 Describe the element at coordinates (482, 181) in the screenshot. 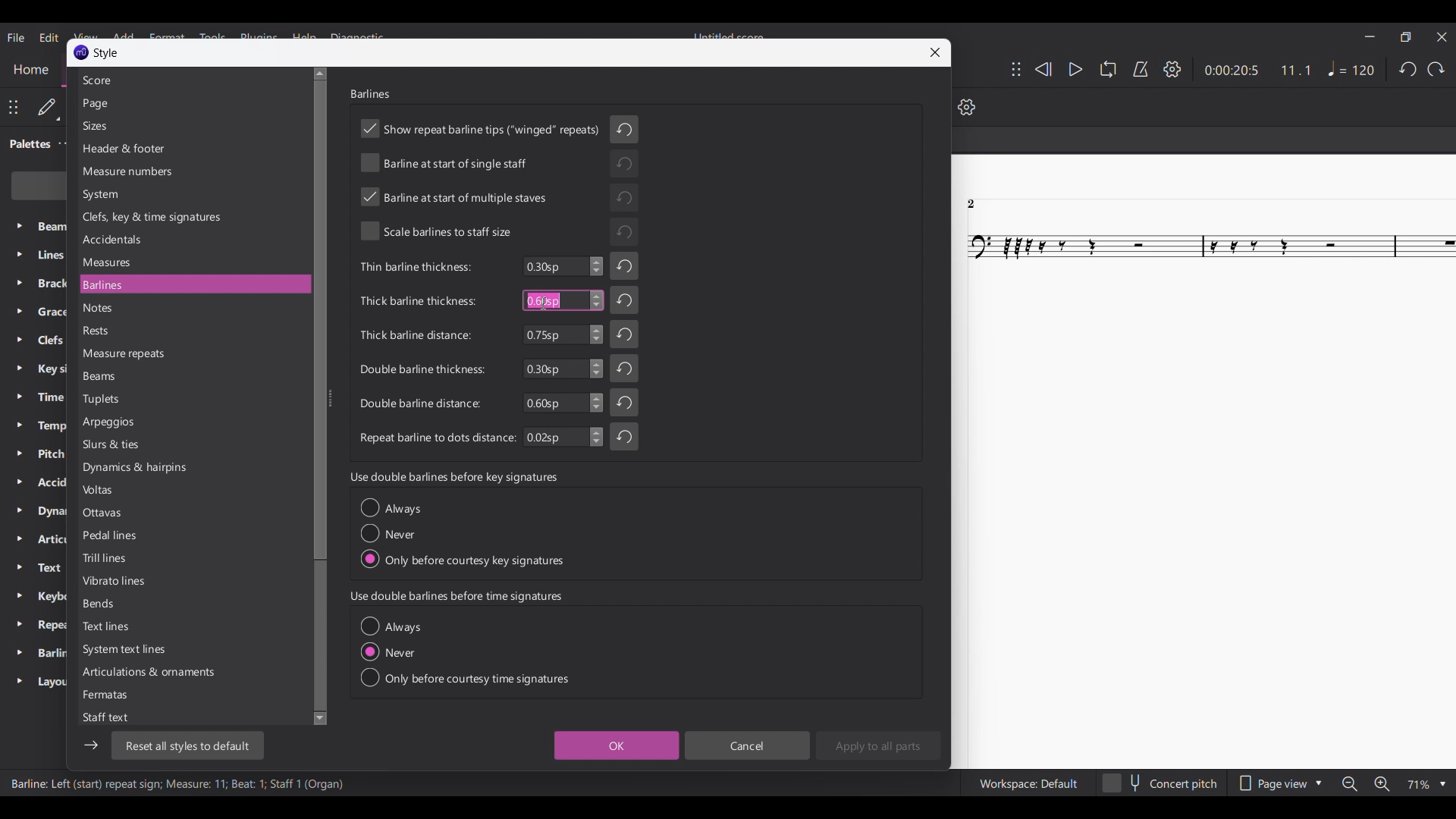

I see `Indicates toggle on/off` at that location.